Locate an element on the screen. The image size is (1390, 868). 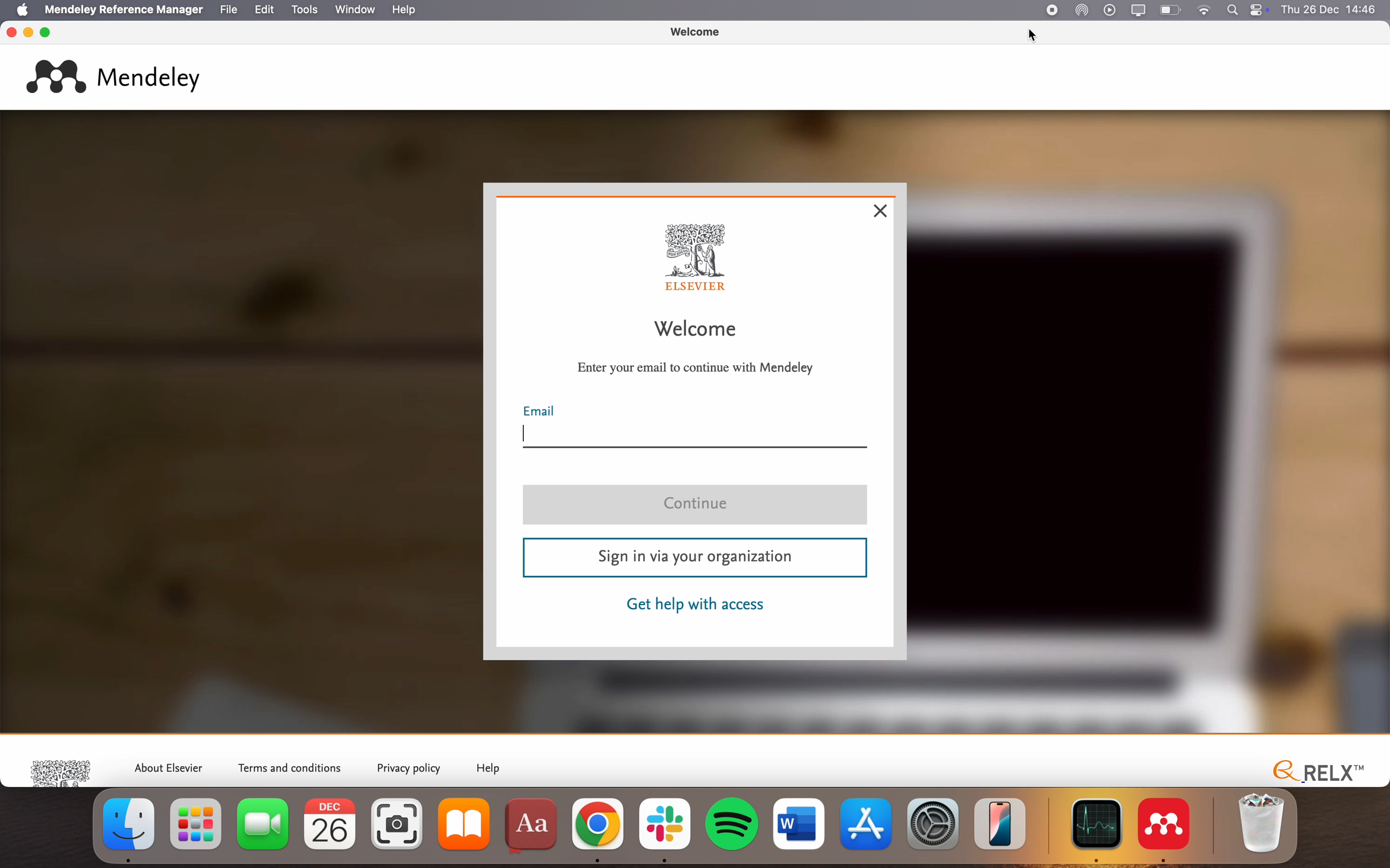
privacy policy is located at coordinates (408, 768).